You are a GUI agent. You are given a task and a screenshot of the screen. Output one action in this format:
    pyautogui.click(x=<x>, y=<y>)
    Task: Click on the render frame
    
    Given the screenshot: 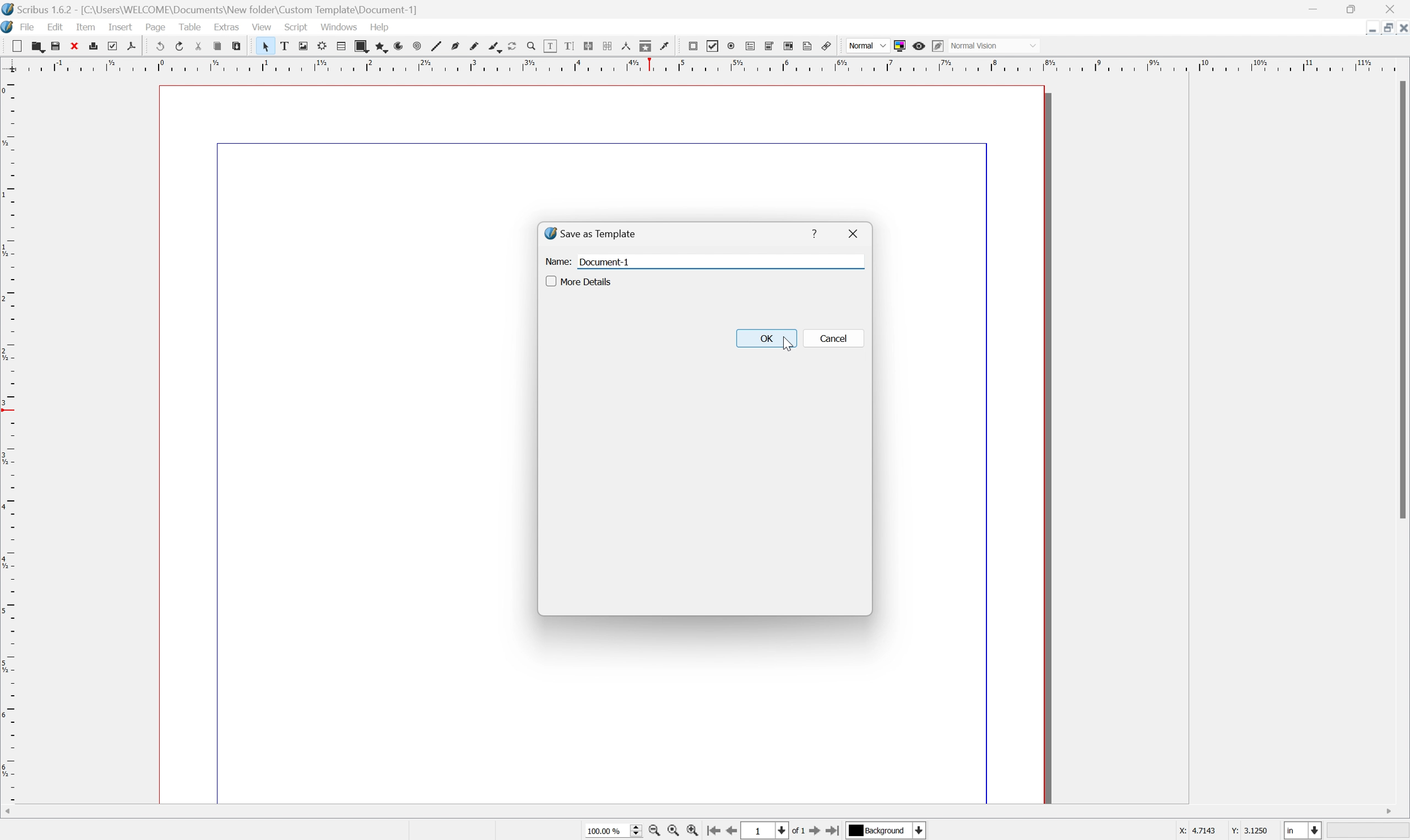 What is the action you would take?
    pyautogui.click(x=322, y=46)
    